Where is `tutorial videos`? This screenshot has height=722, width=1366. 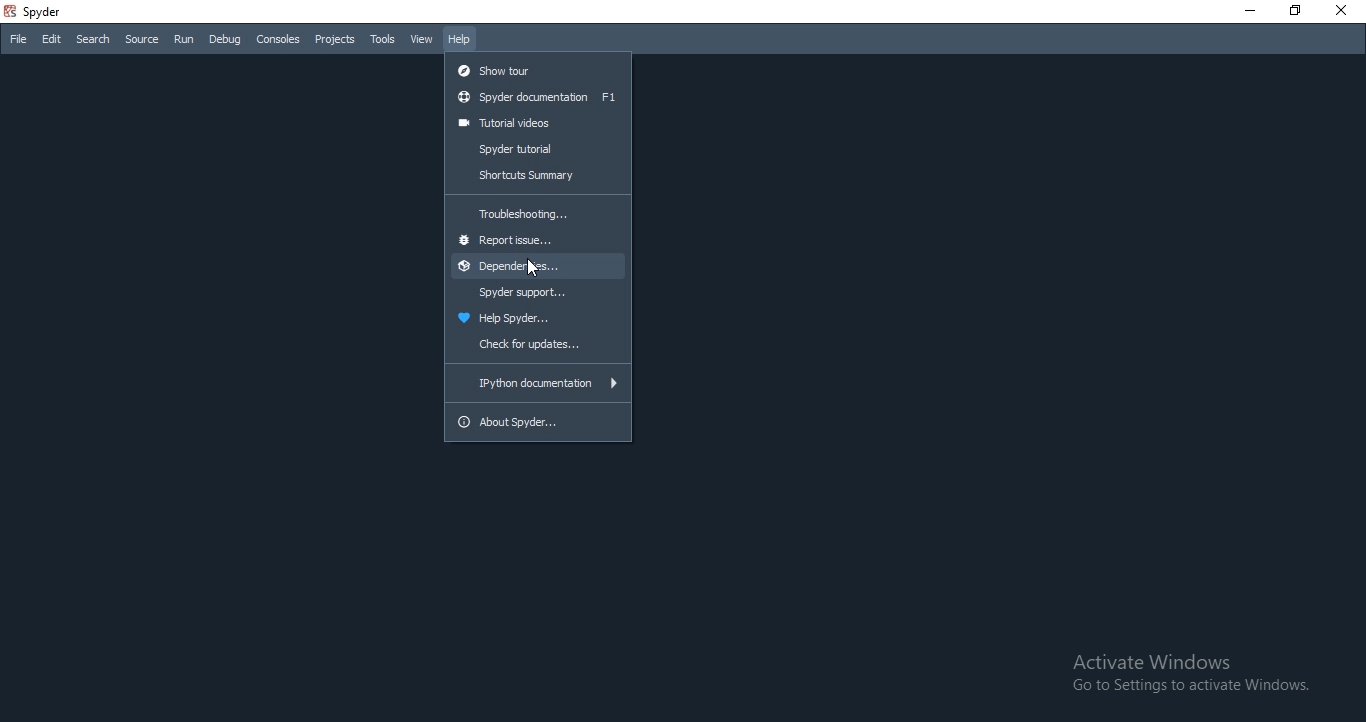
tutorial videos is located at coordinates (536, 123).